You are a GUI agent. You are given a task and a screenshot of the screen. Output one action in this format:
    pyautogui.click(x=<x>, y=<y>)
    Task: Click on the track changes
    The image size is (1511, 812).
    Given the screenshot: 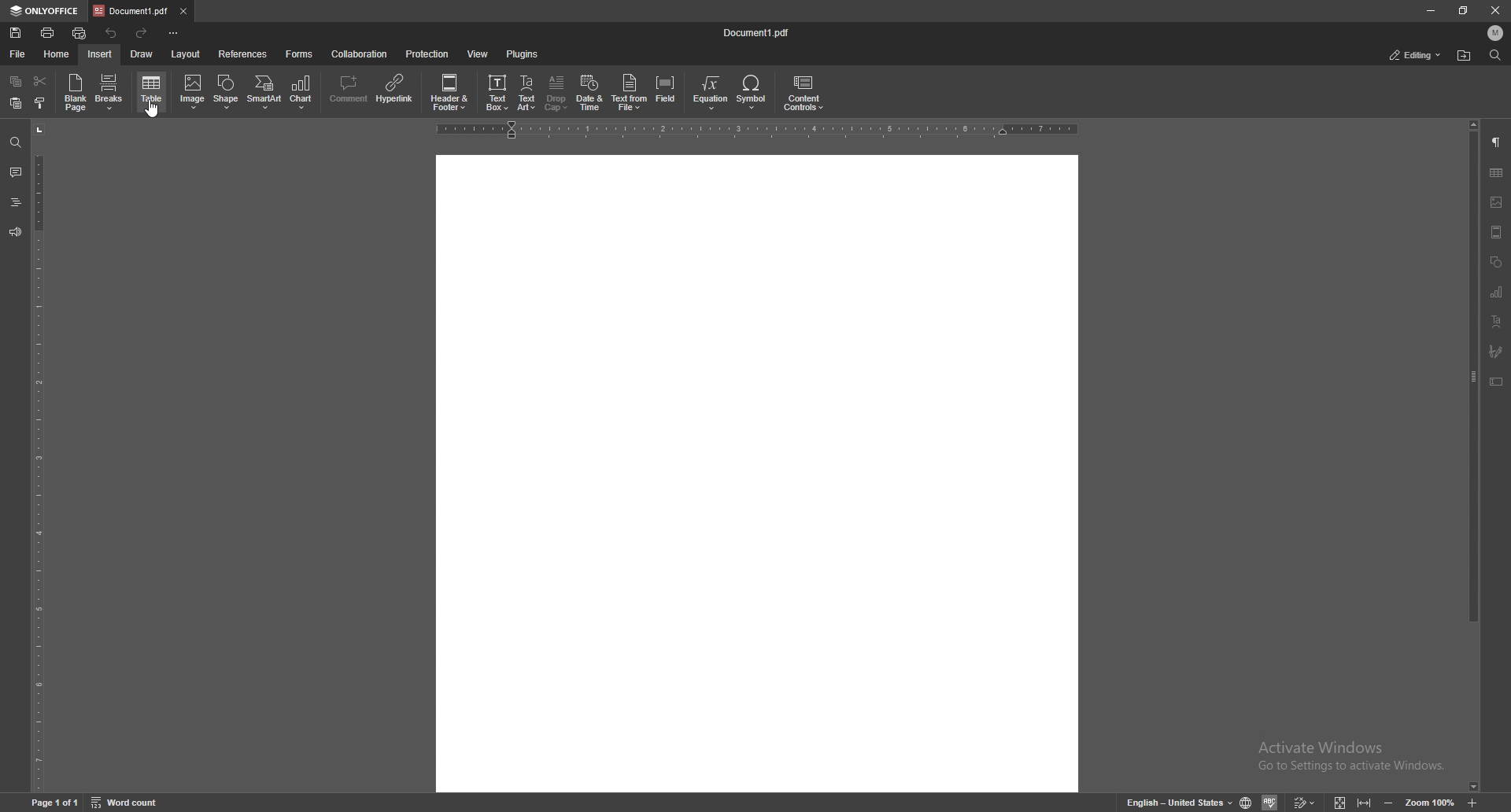 What is the action you would take?
    pyautogui.click(x=1306, y=802)
    